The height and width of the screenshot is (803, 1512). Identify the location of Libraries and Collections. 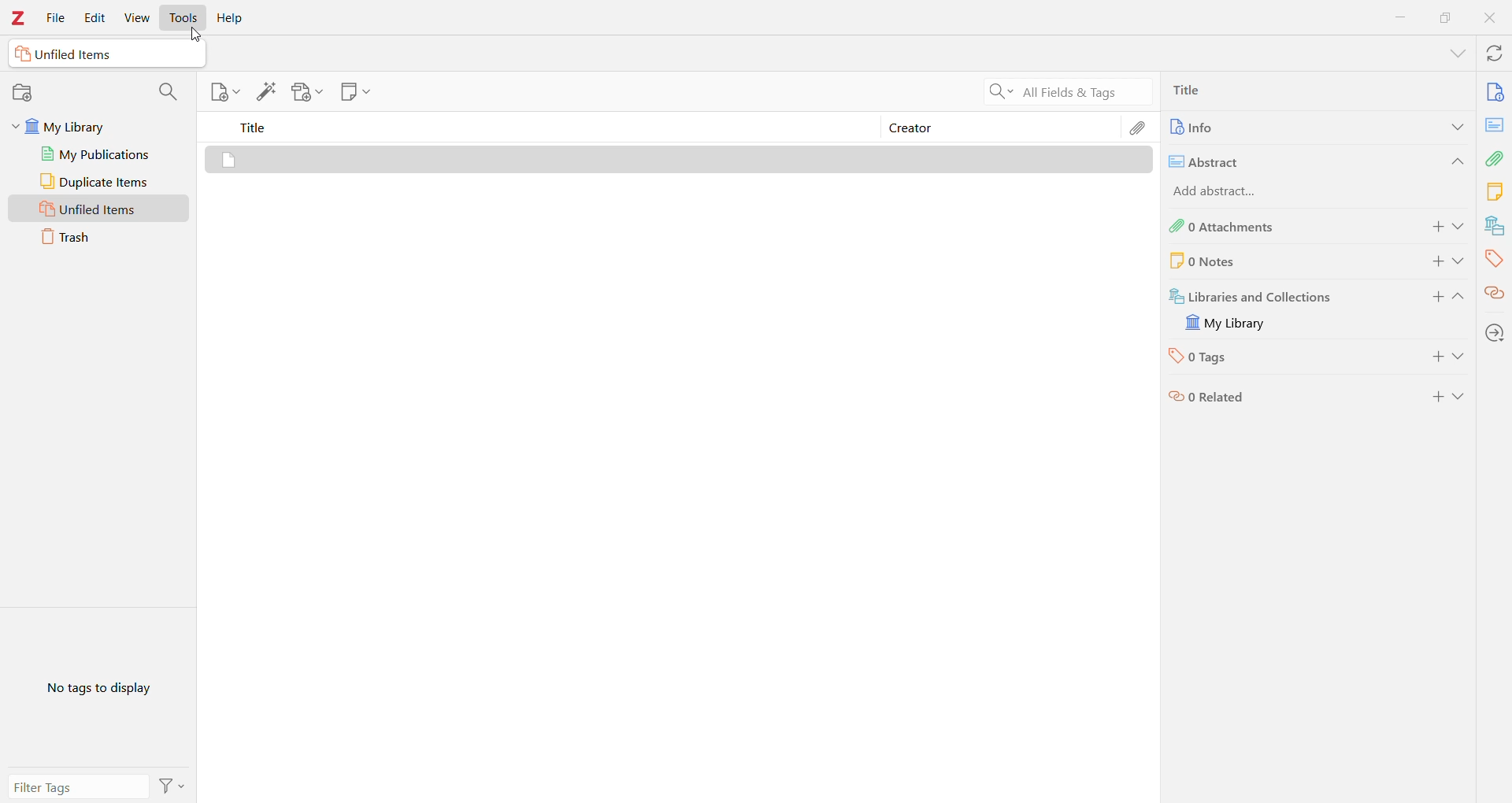
(1493, 225).